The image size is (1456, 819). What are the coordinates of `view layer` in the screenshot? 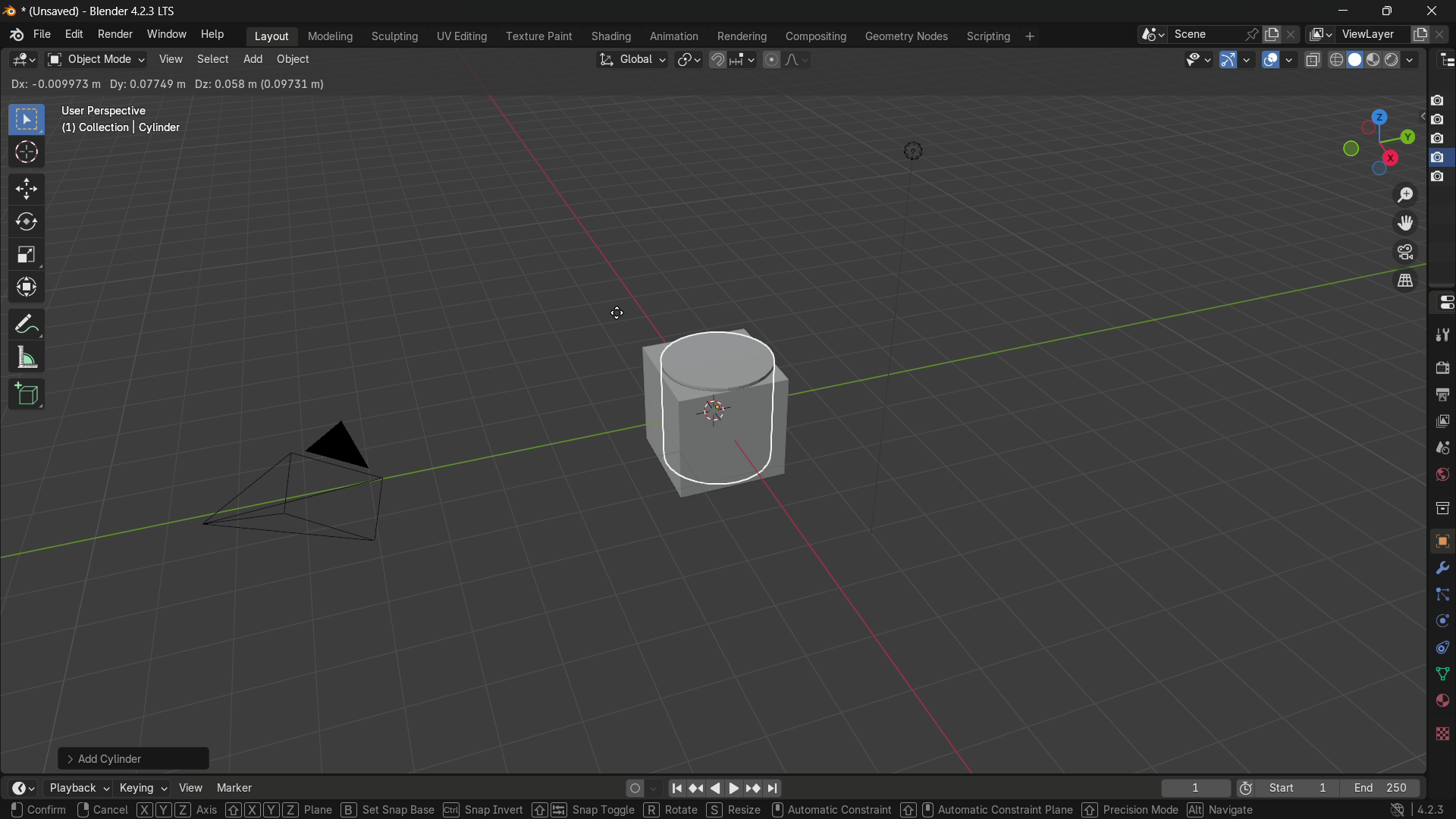 It's located at (1441, 421).